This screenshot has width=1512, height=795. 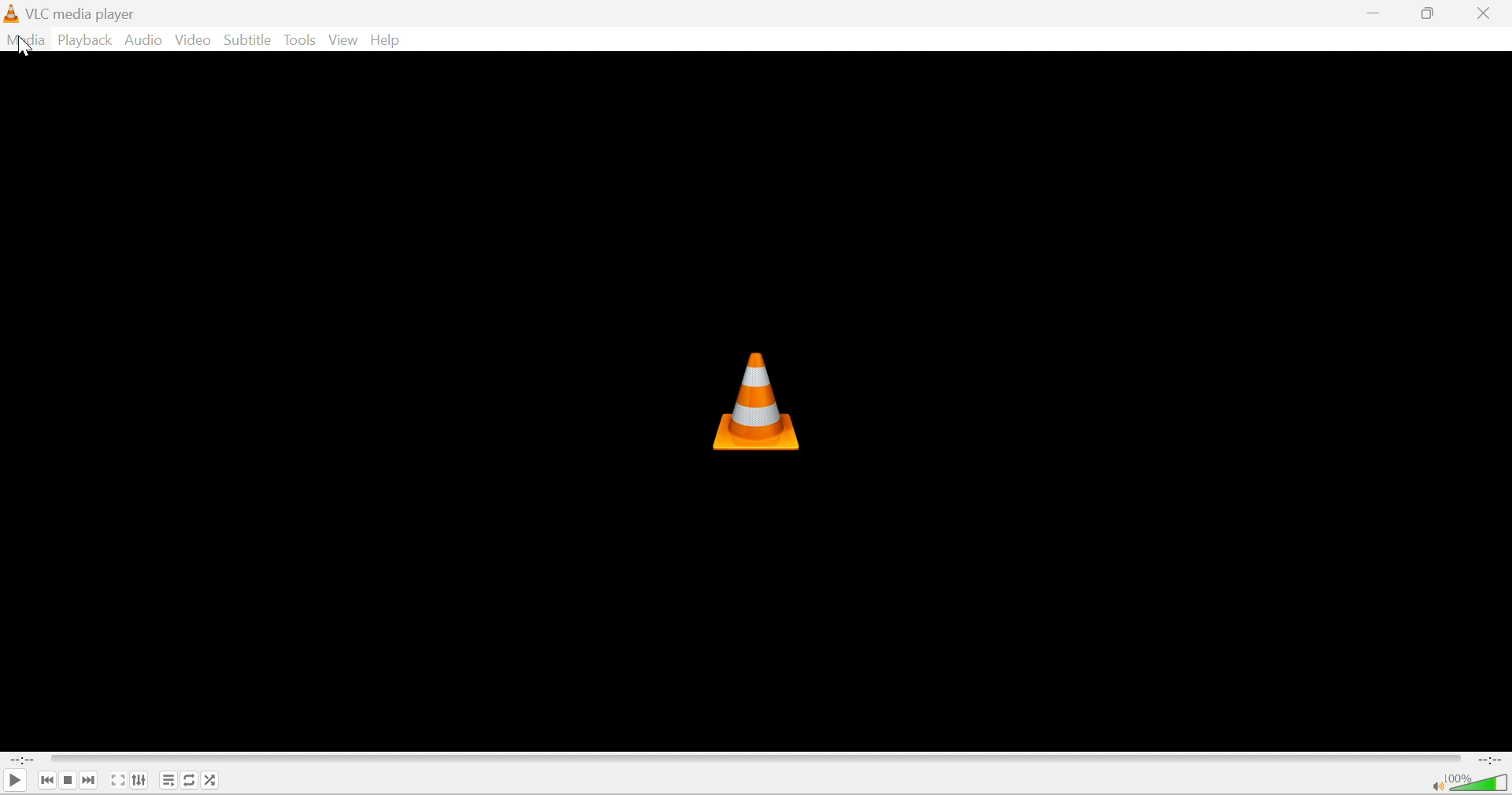 I want to click on cursor, so click(x=24, y=48).